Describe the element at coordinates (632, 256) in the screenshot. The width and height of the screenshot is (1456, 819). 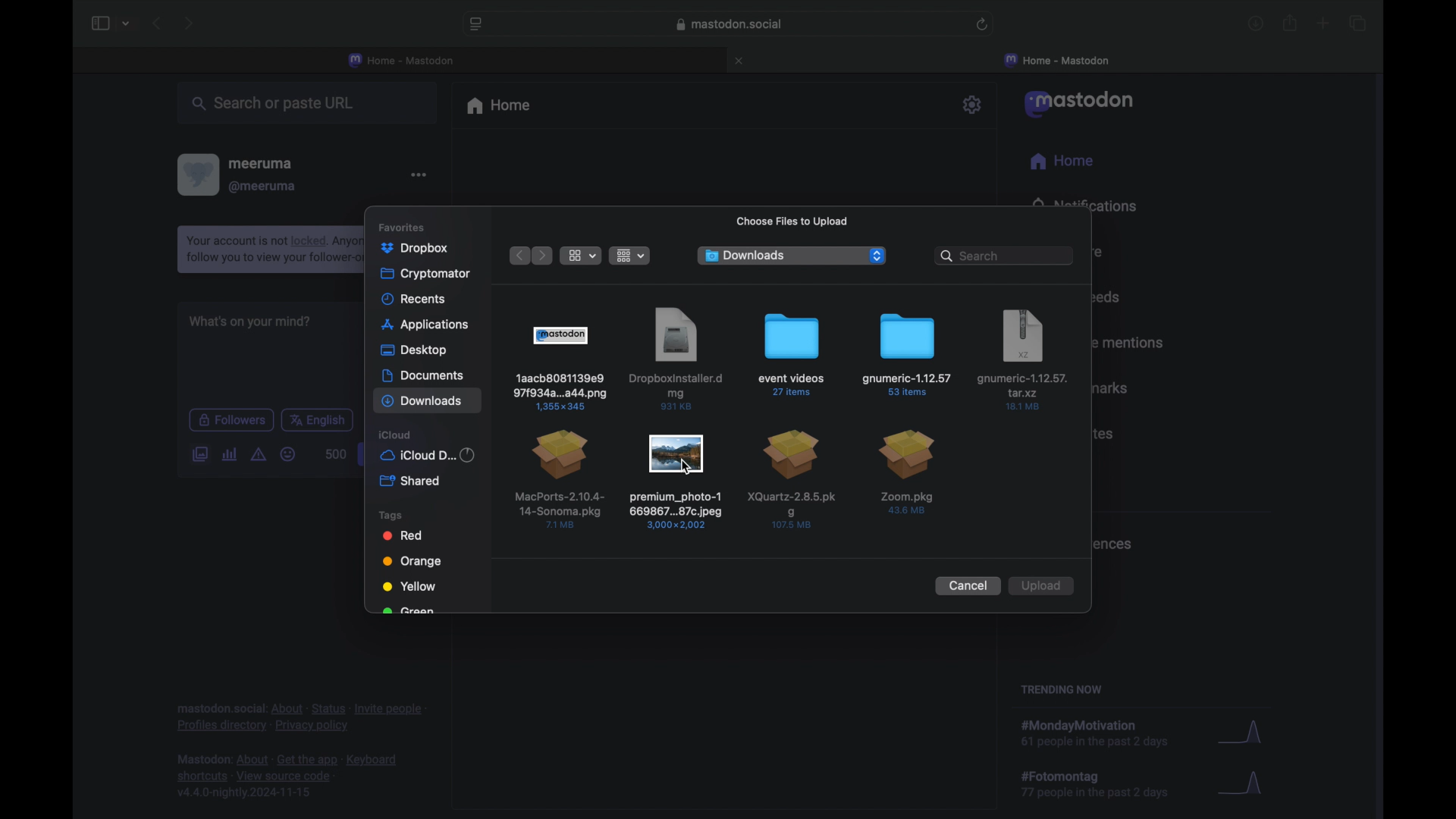
I see `show item grouping` at that location.